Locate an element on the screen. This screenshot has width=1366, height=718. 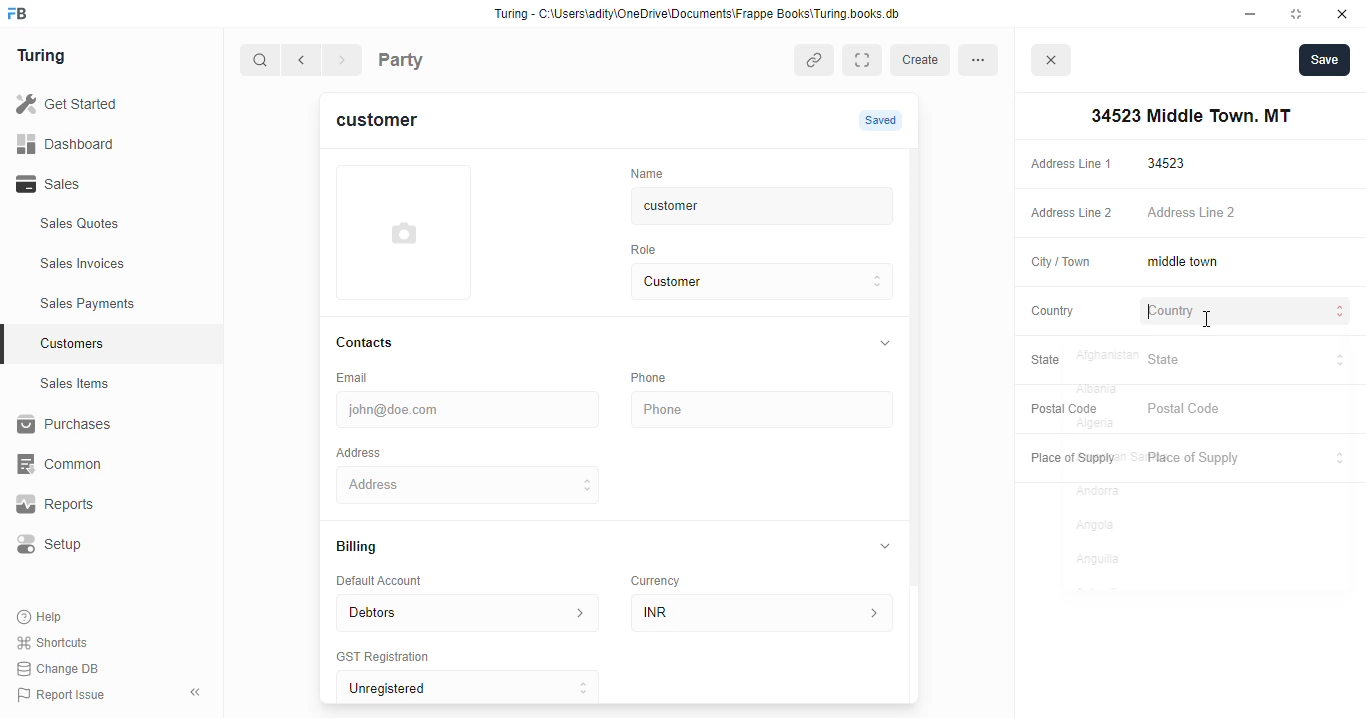
Expand is located at coordinates (866, 60).